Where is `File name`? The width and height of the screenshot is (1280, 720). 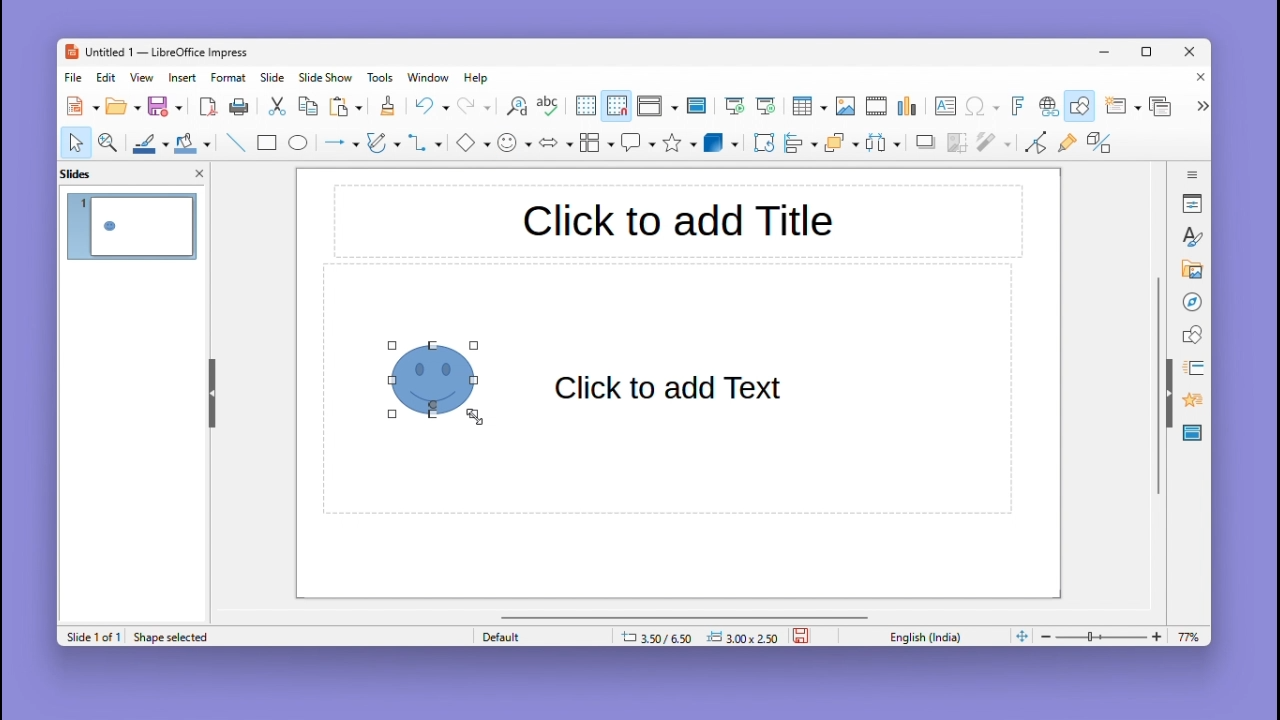 File name is located at coordinates (155, 53).